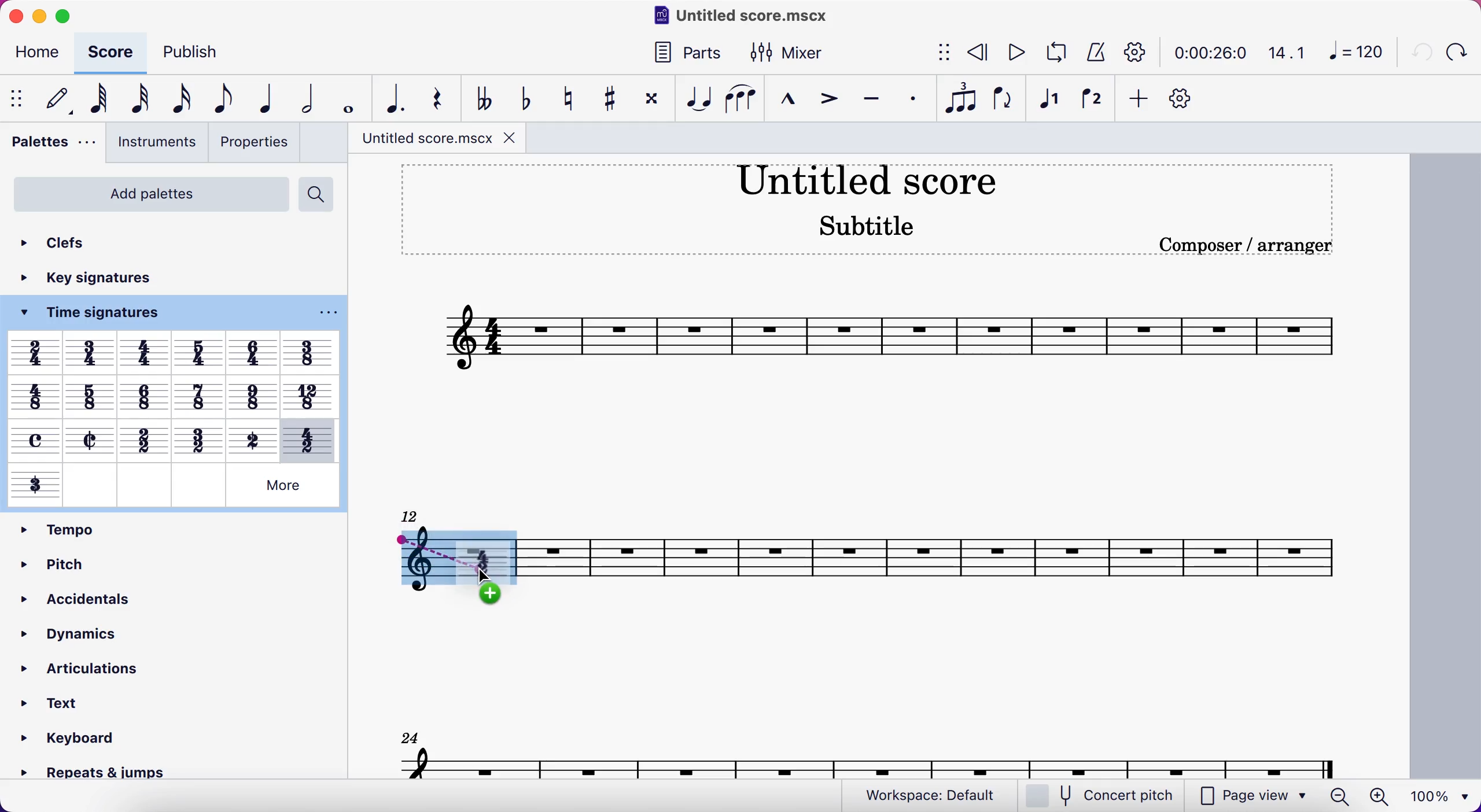 The height and width of the screenshot is (812, 1481). What do you see at coordinates (74, 598) in the screenshot?
I see `` at bounding box center [74, 598].